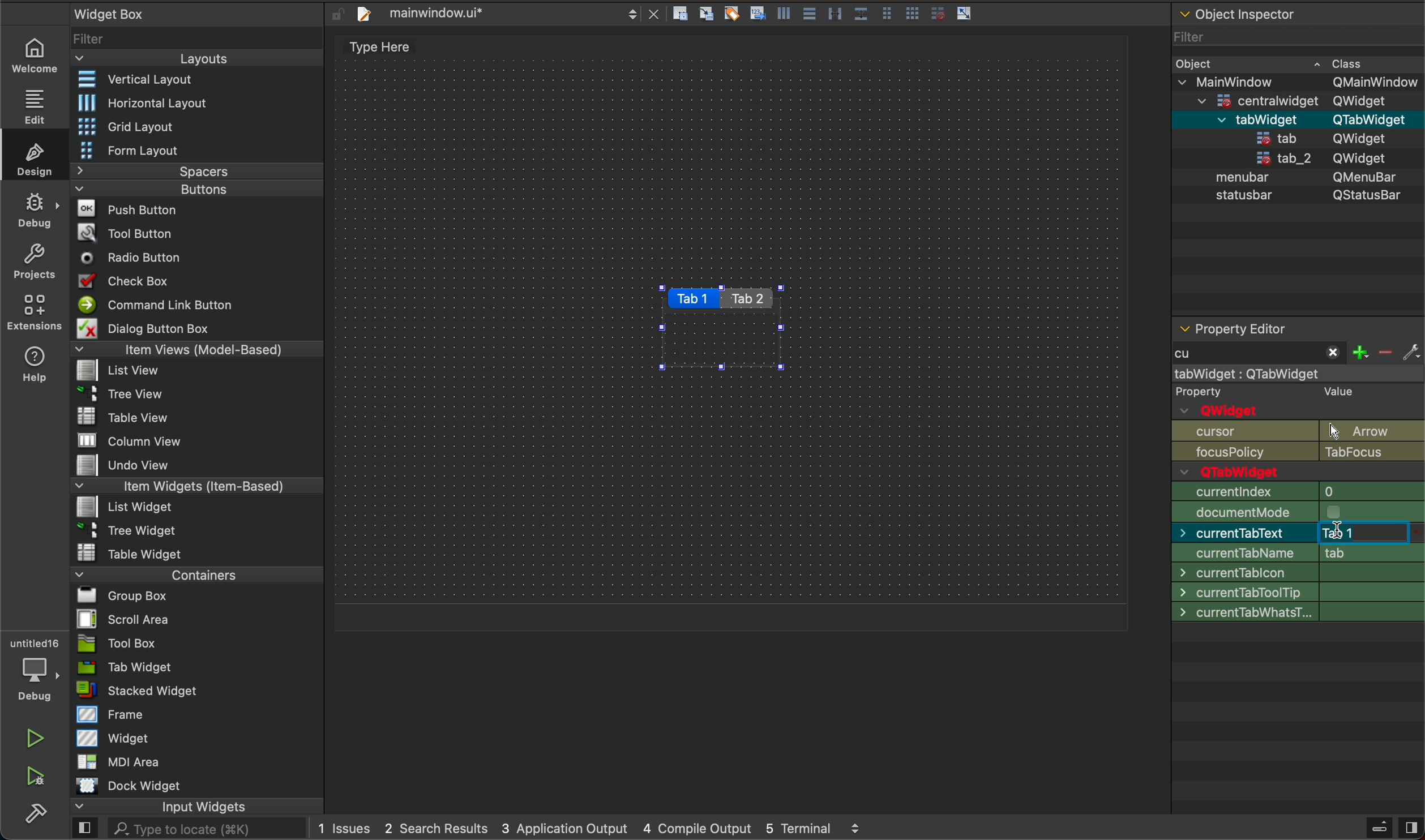 The height and width of the screenshot is (840, 1425). What do you see at coordinates (1270, 160) in the screenshot?
I see `tab_2` at bounding box center [1270, 160].